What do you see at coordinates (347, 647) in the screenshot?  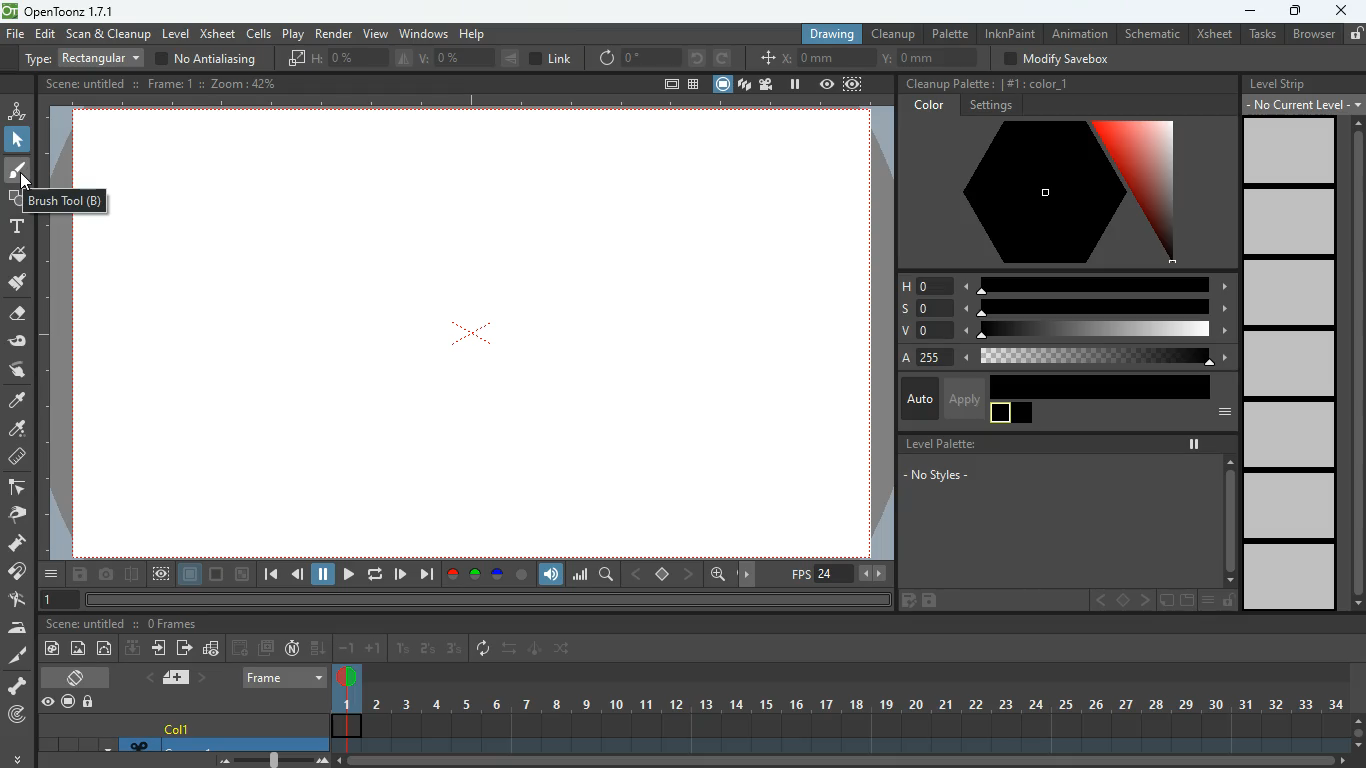 I see `-1` at bounding box center [347, 647].